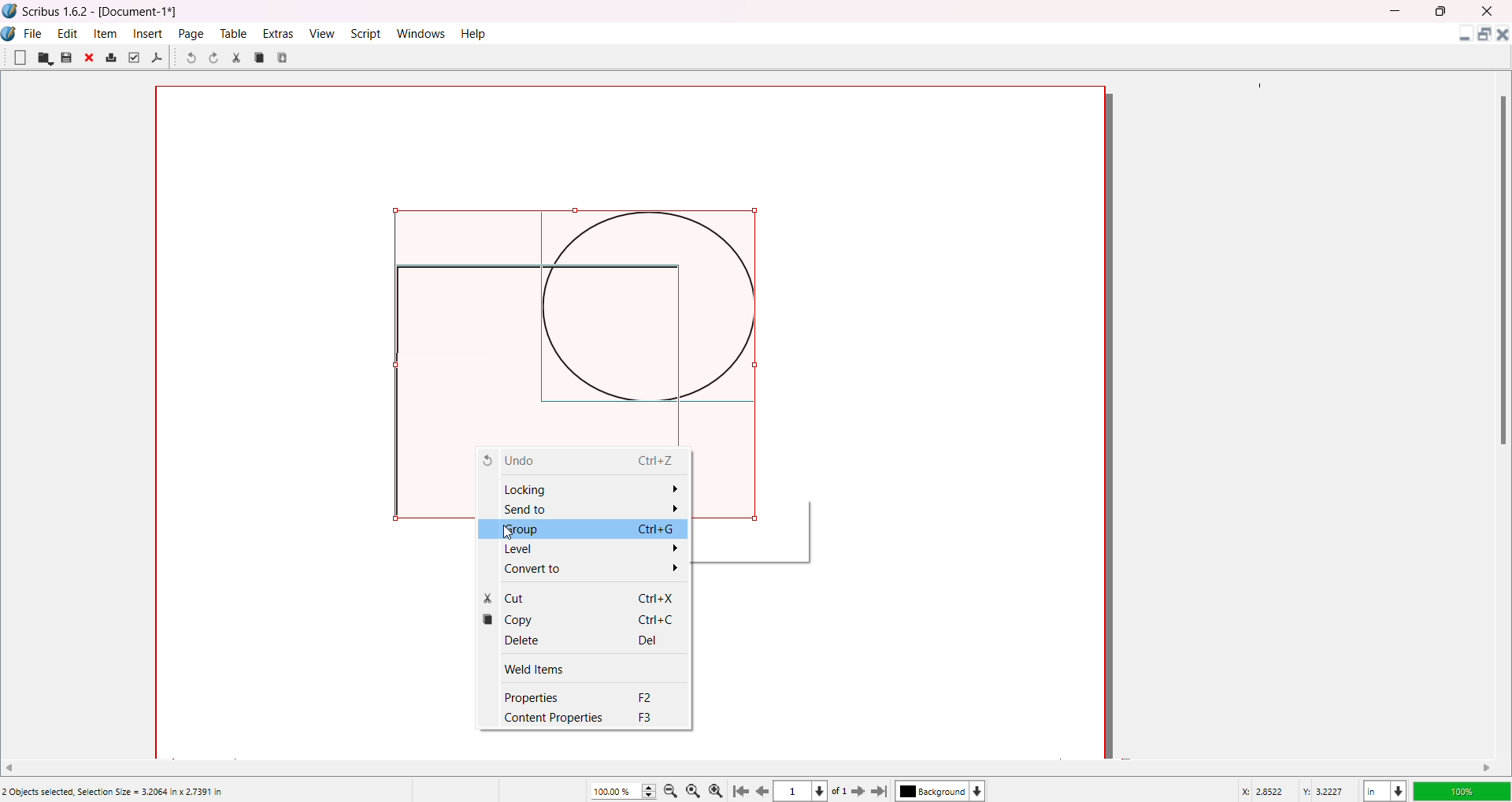 The image size is (1512, 802). What do you see at coordinates (582, 622) in the screenshot?
I see `Copy` at bounding box center [582, 622].